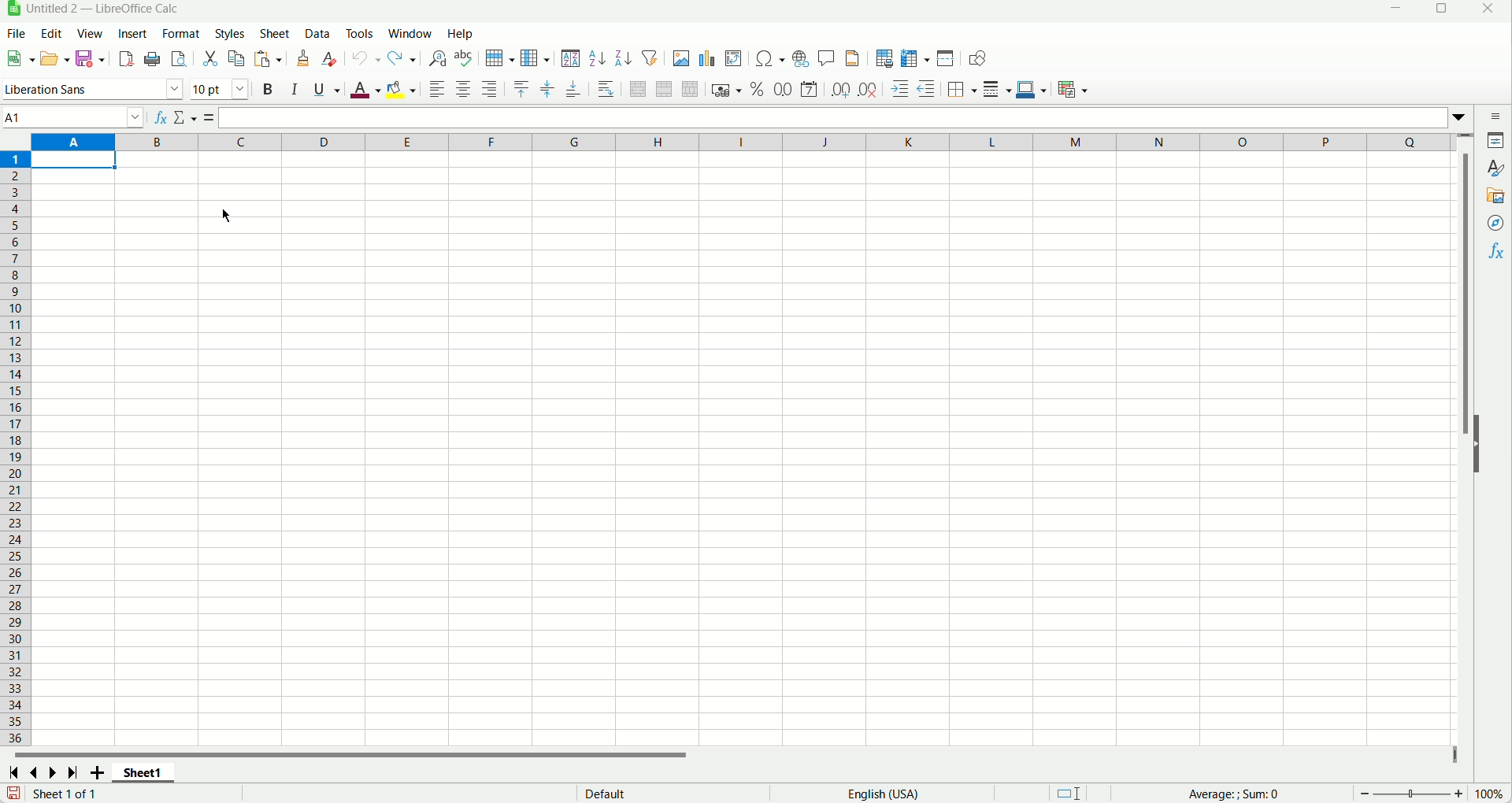 Image resolution: width=1512 pixels, height=803 pixels. I want to click on zoom, so click(1410, 794).